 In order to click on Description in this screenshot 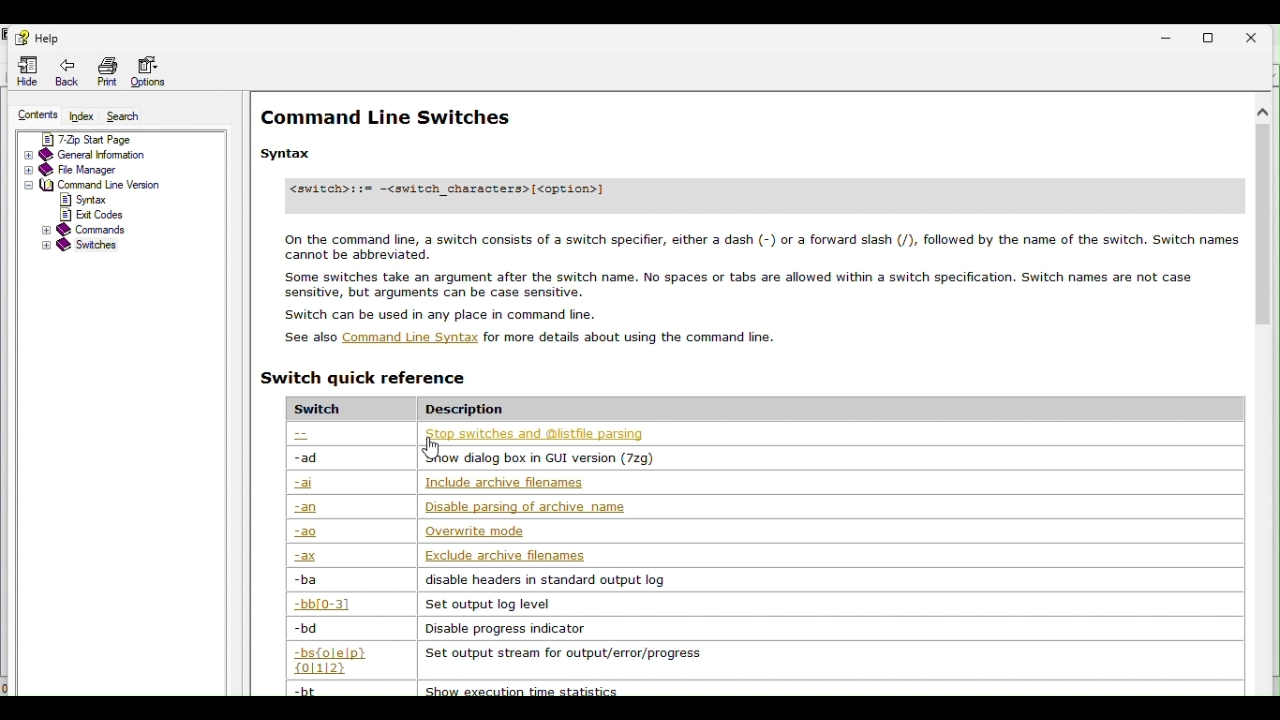, I will do `click(523, 409)`.